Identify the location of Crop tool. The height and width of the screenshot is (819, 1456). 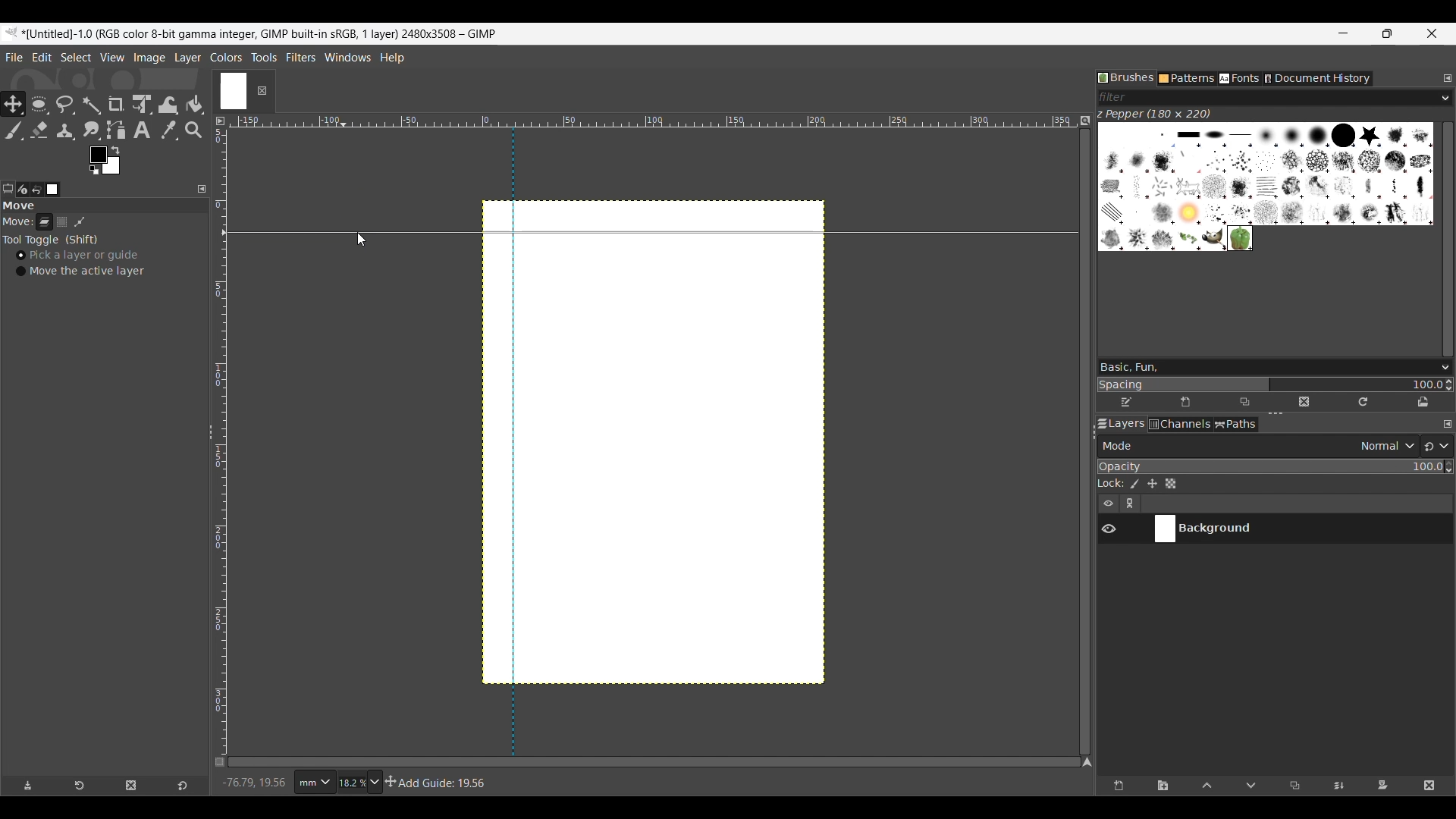
(116, 104).